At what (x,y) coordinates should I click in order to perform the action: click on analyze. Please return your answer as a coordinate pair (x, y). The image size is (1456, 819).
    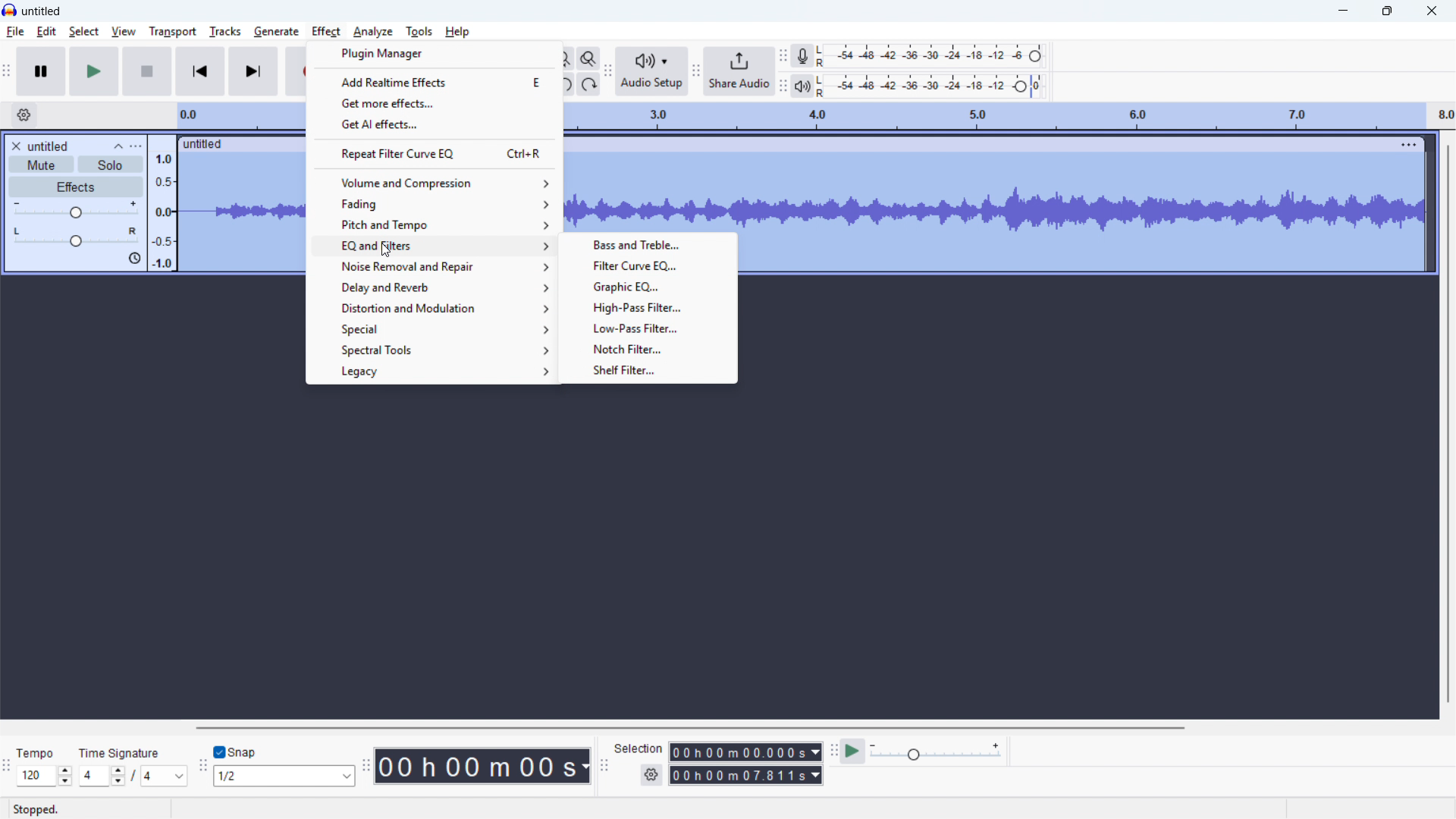
    Looking at the image, I should click on (372, 30).